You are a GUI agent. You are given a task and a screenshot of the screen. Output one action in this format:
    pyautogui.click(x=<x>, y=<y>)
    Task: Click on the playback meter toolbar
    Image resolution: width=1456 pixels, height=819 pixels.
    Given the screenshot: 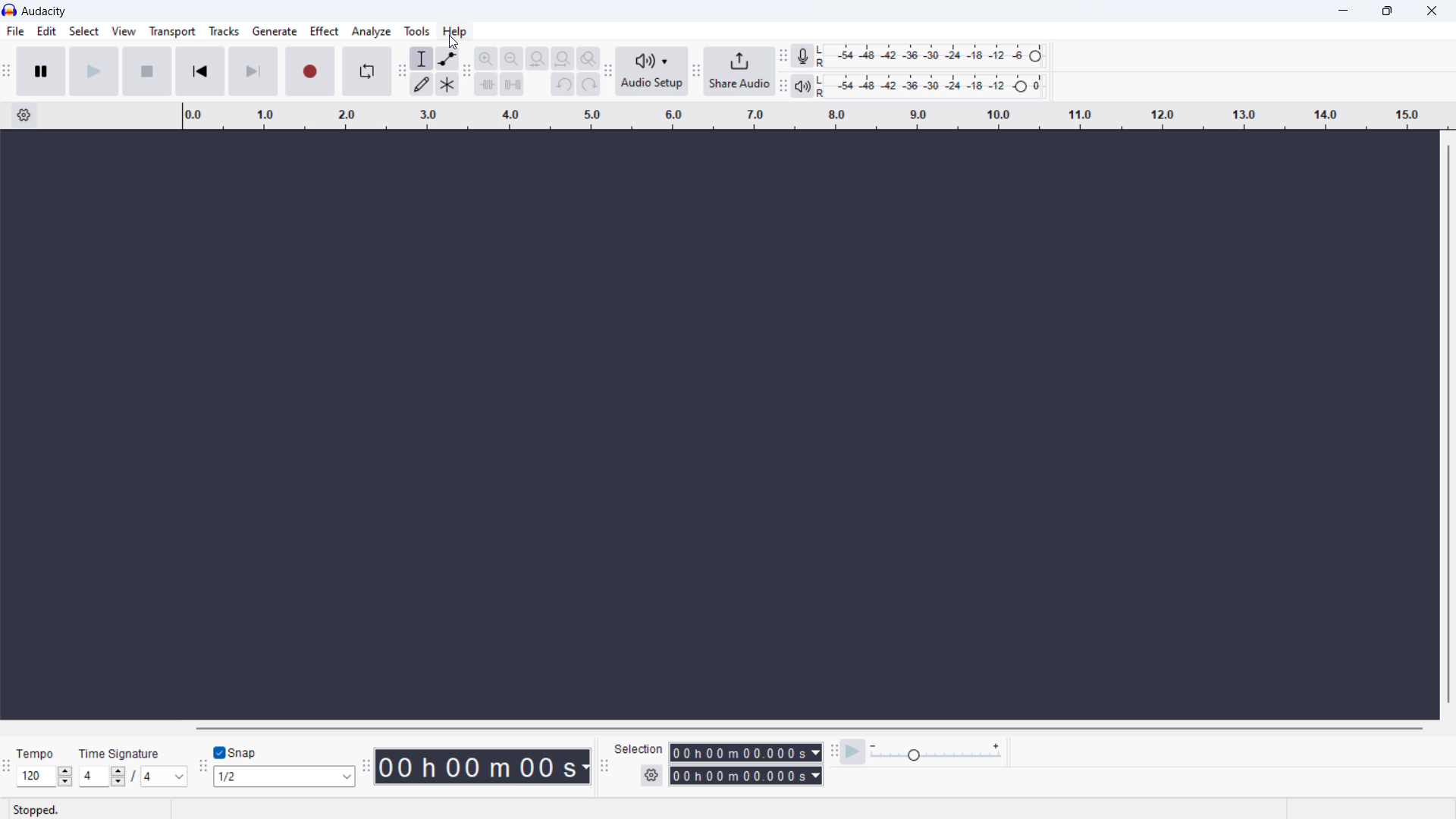 What is the action you would take?
    pyautogui.click(x=783, y=87)
    